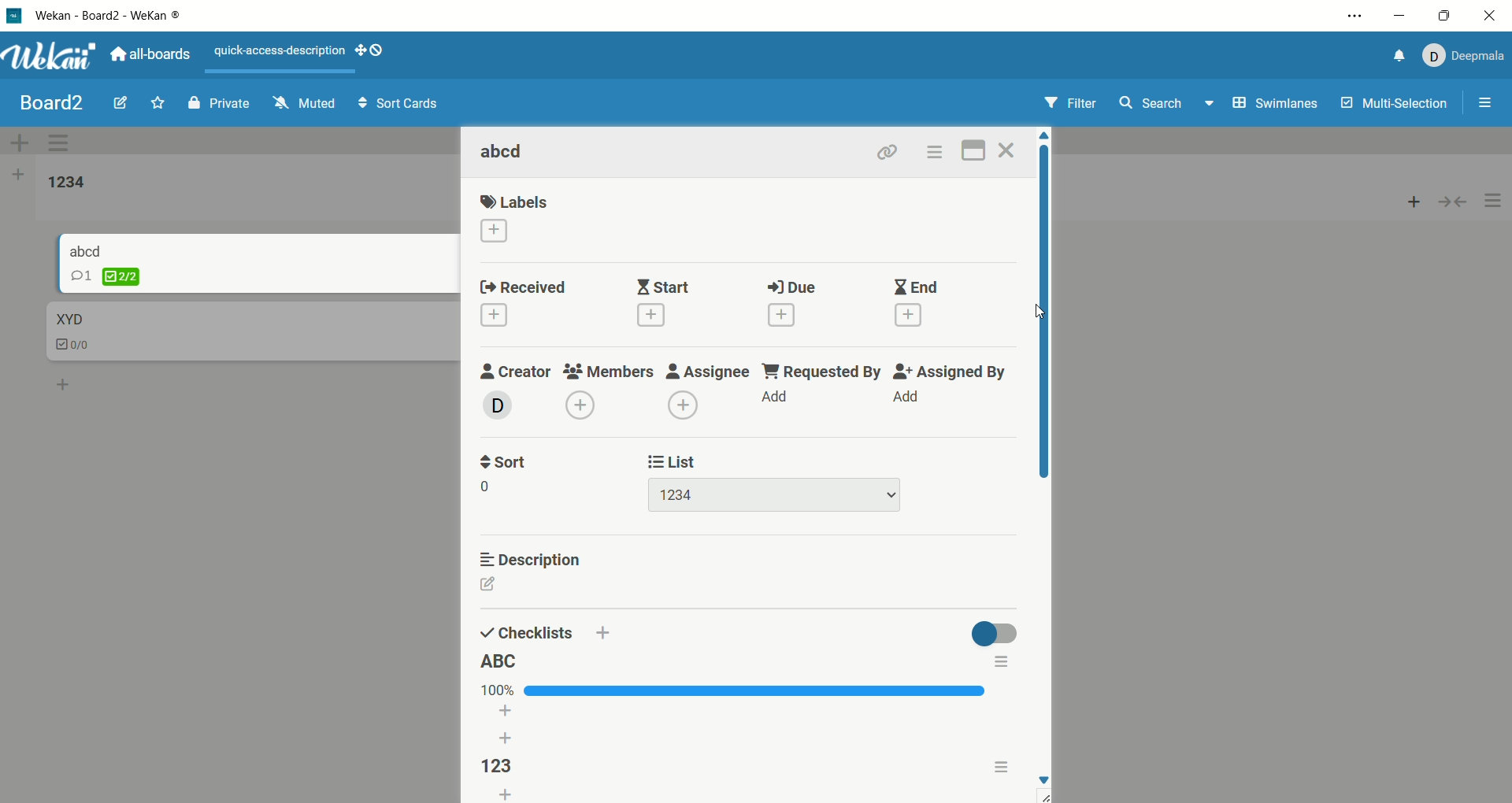  I want to click on logo, so click(15, 18).